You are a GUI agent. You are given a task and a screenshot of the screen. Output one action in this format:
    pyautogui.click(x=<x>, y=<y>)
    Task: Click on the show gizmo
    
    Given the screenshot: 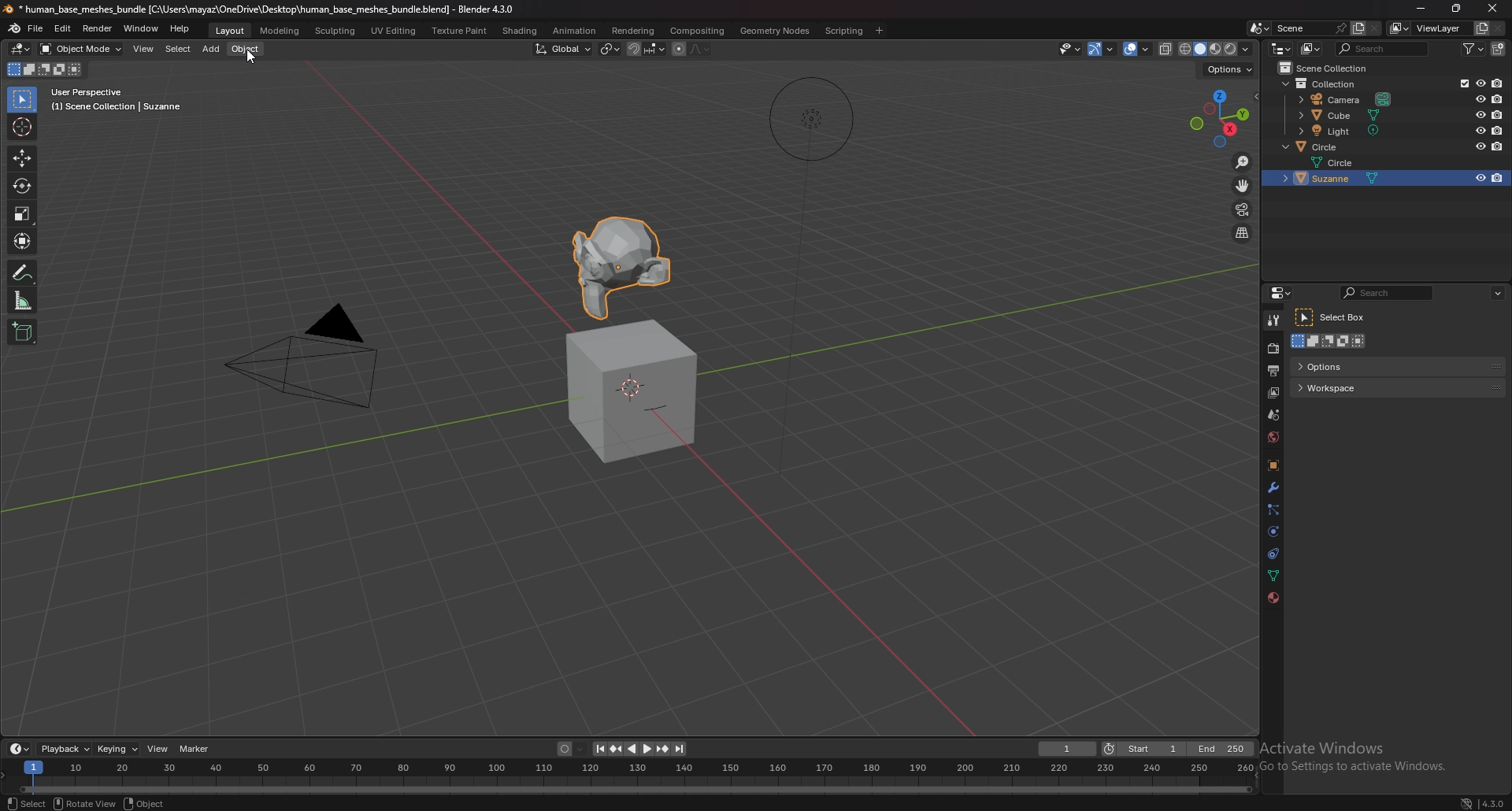 What is the action you would take?
    pyautogui.click(x=1102, y=49)
    